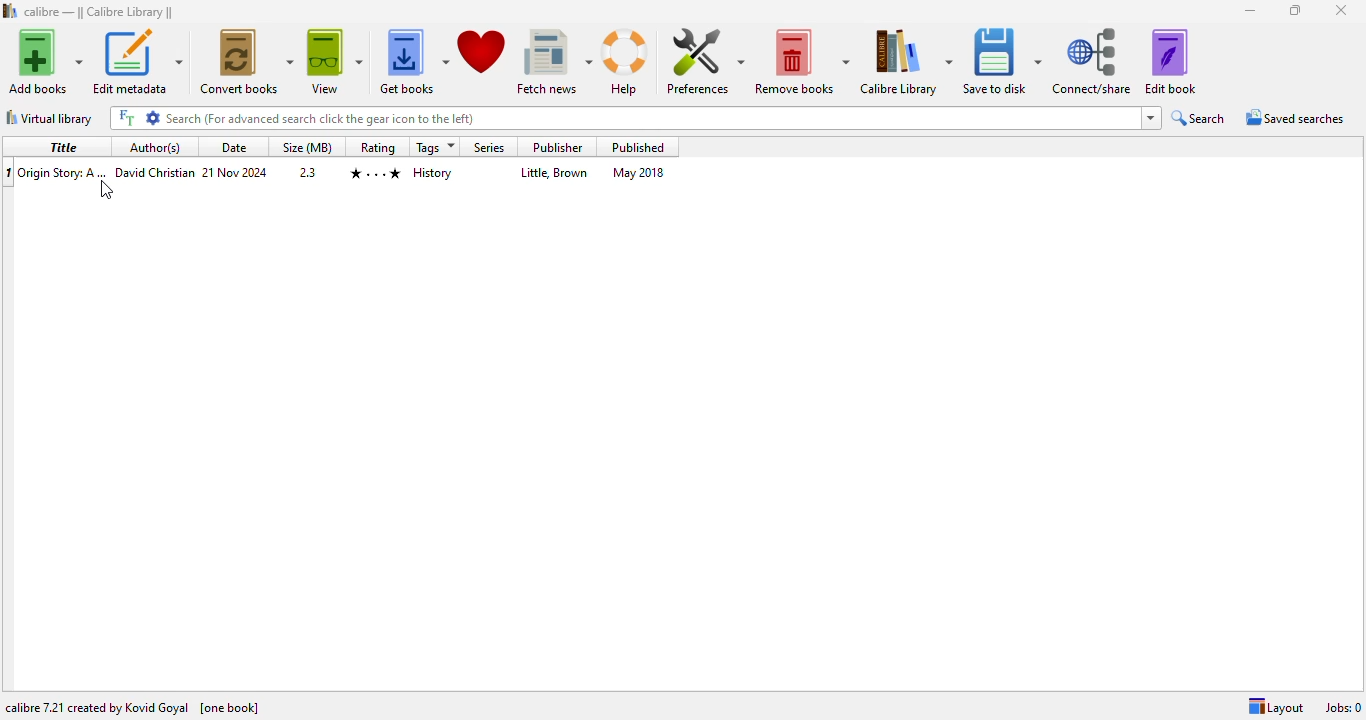 This screenshot has height=720, width=1366. I want to click on convert books, so click(245, 61).